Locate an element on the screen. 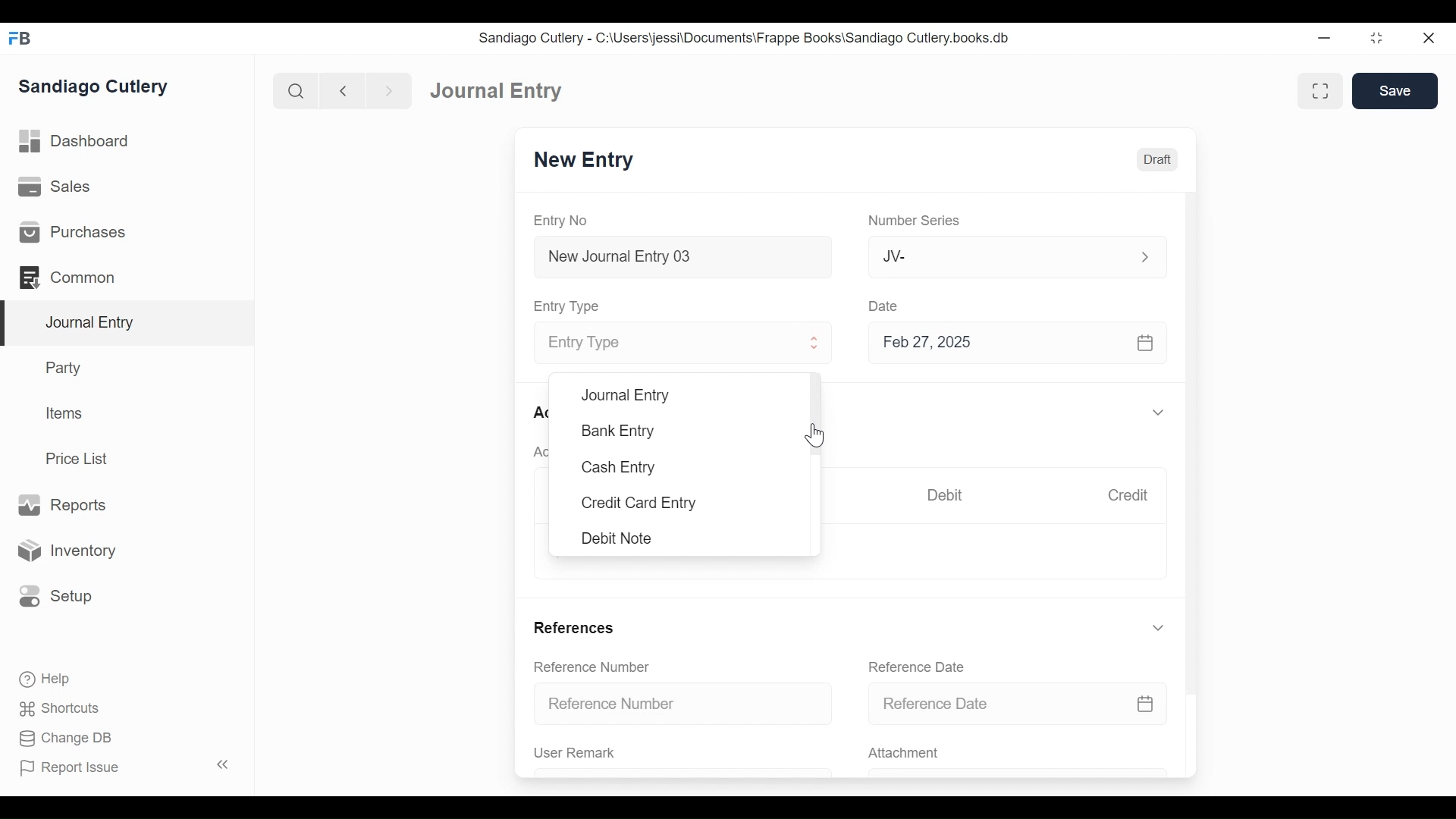 Image resolution: width=1456 pixels, height=819 pixels. Purchases is located at coordinates (75, 232).